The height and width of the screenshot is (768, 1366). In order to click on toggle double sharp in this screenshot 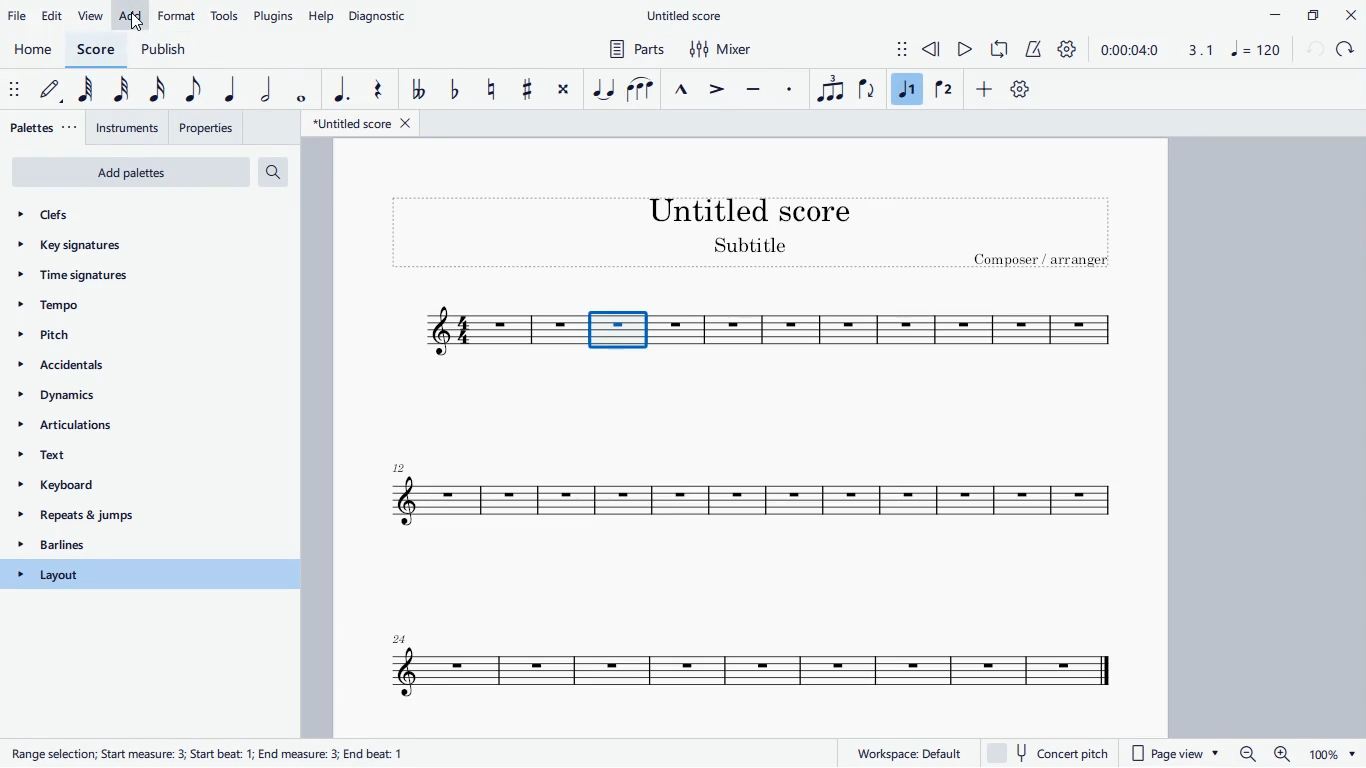, I will do `click(563, 93)`.